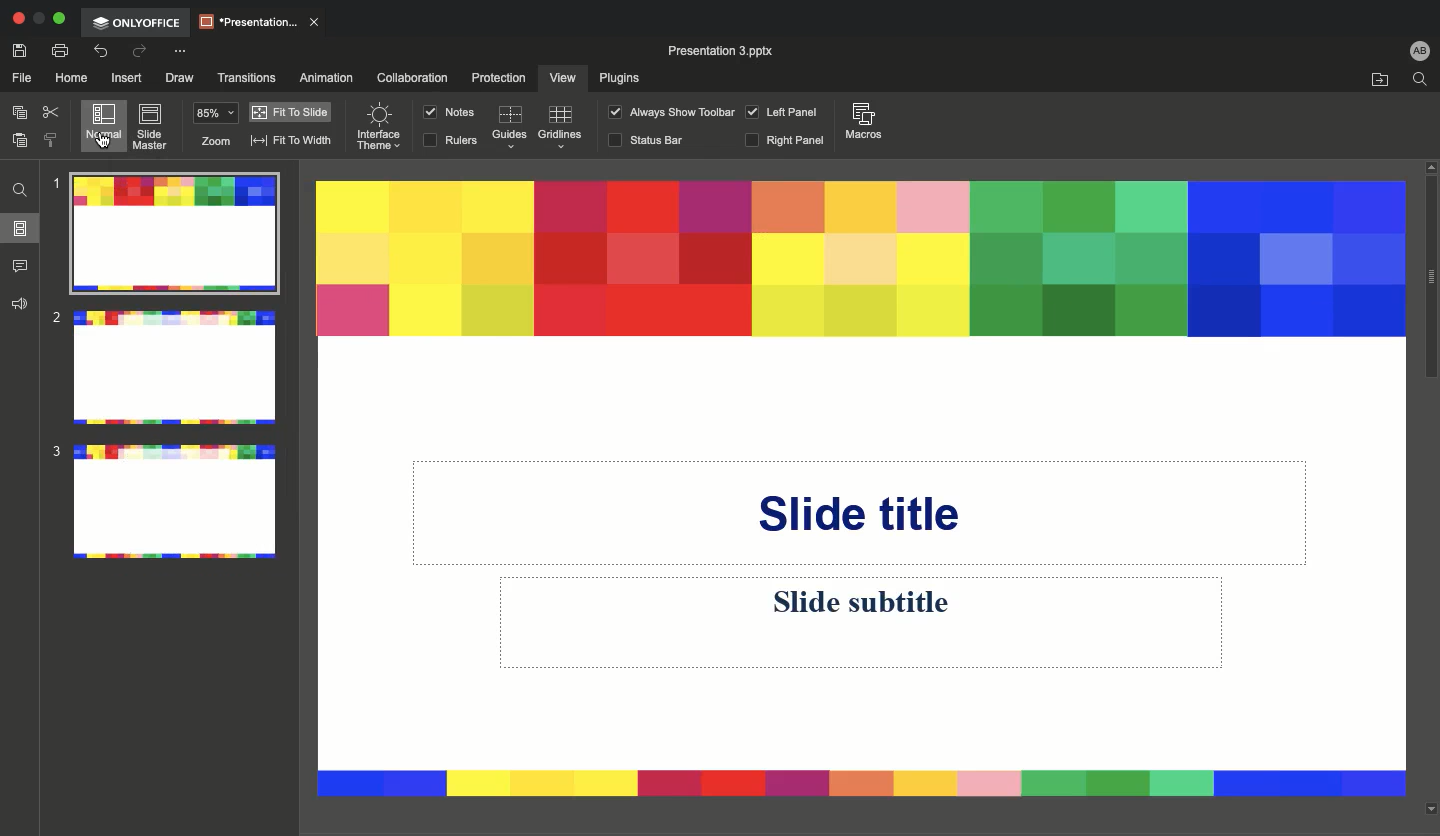  I want to click on Plugins, so click(624, 81).